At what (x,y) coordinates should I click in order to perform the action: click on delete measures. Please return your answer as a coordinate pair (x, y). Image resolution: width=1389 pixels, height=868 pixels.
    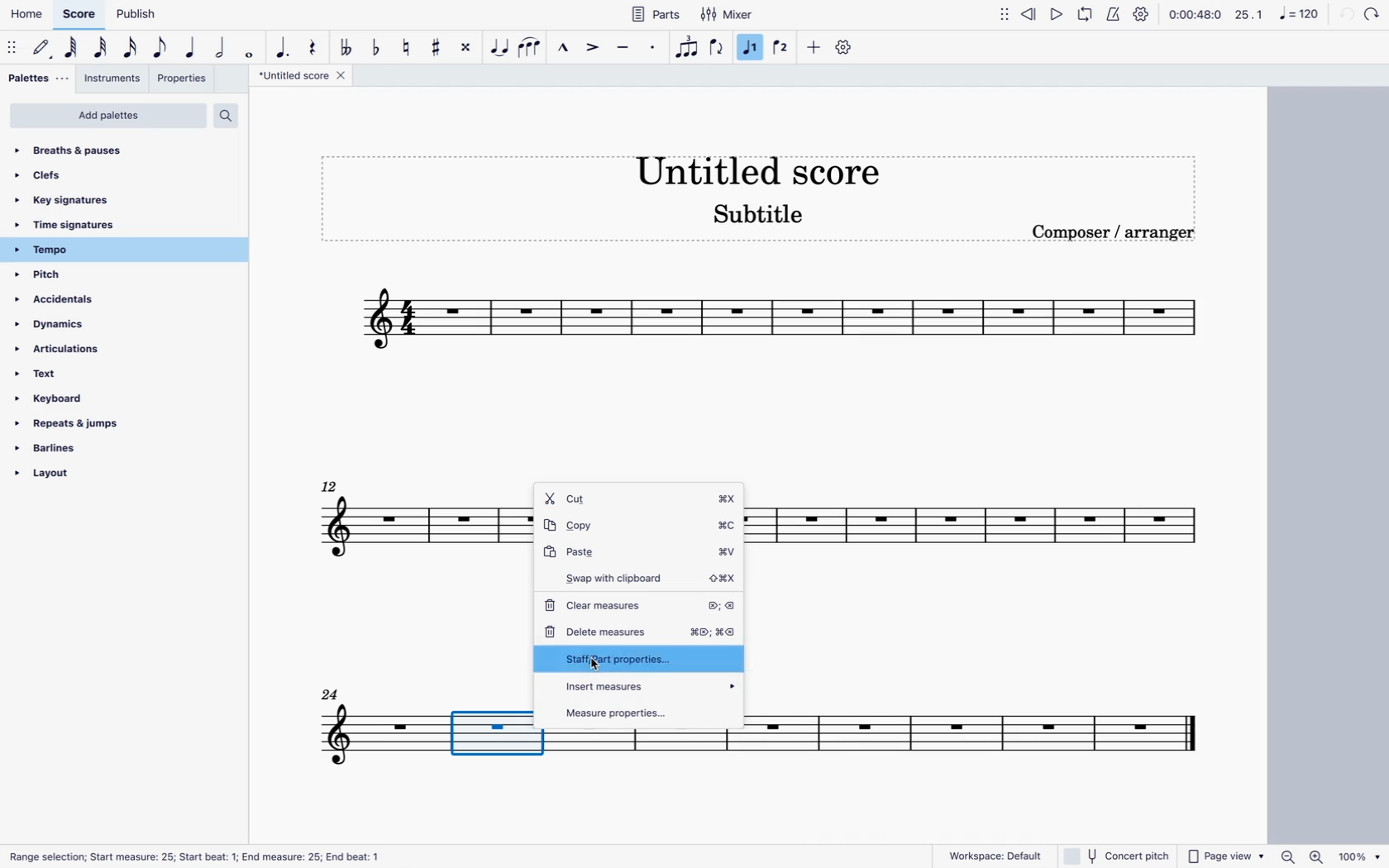
    Looking at the image, I should click on (642, 629).